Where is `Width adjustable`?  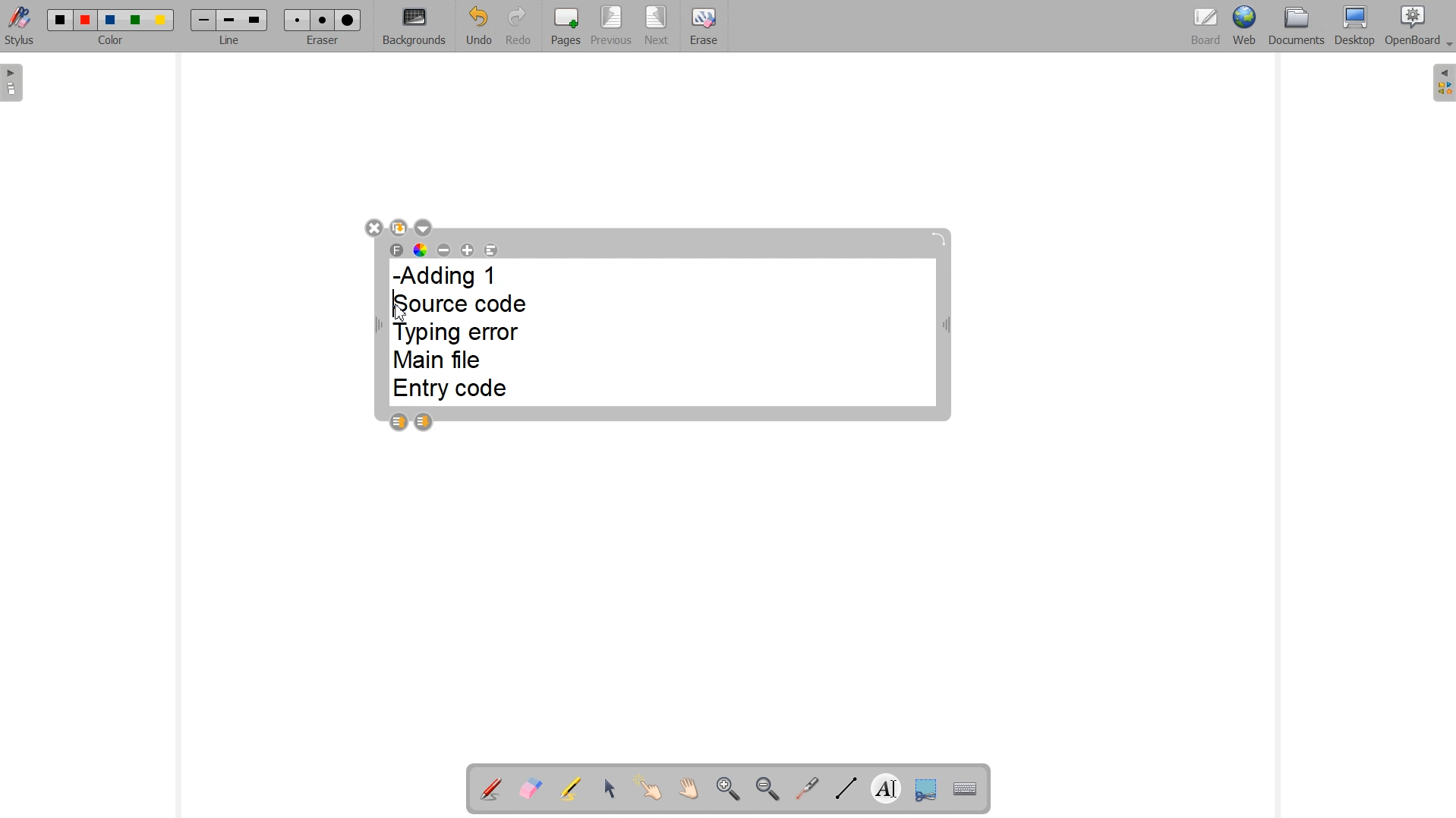 Width adjustable is located at coordinates (947, 328).